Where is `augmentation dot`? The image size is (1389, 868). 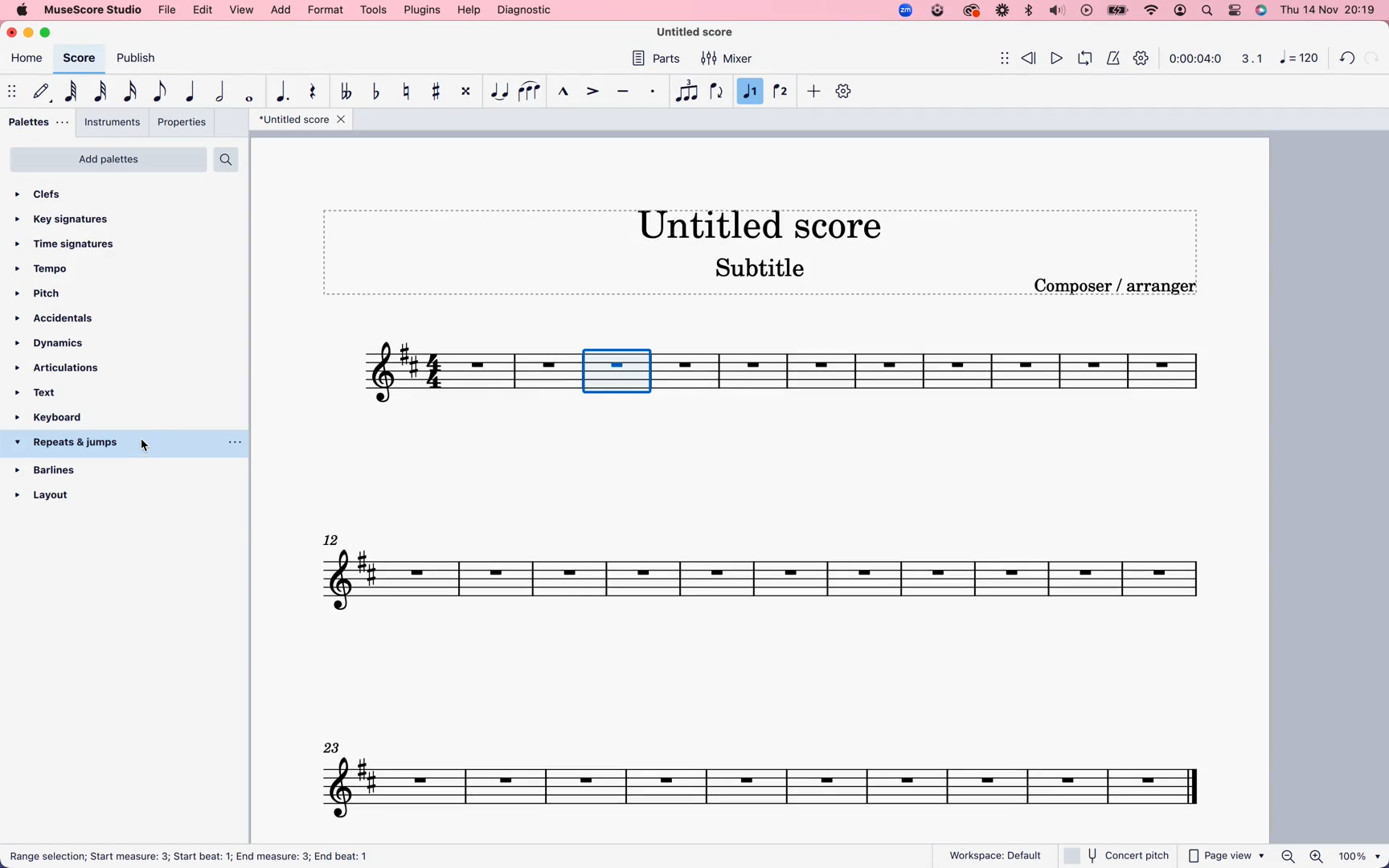 augmentation dot is located at coordinates (285, 91).